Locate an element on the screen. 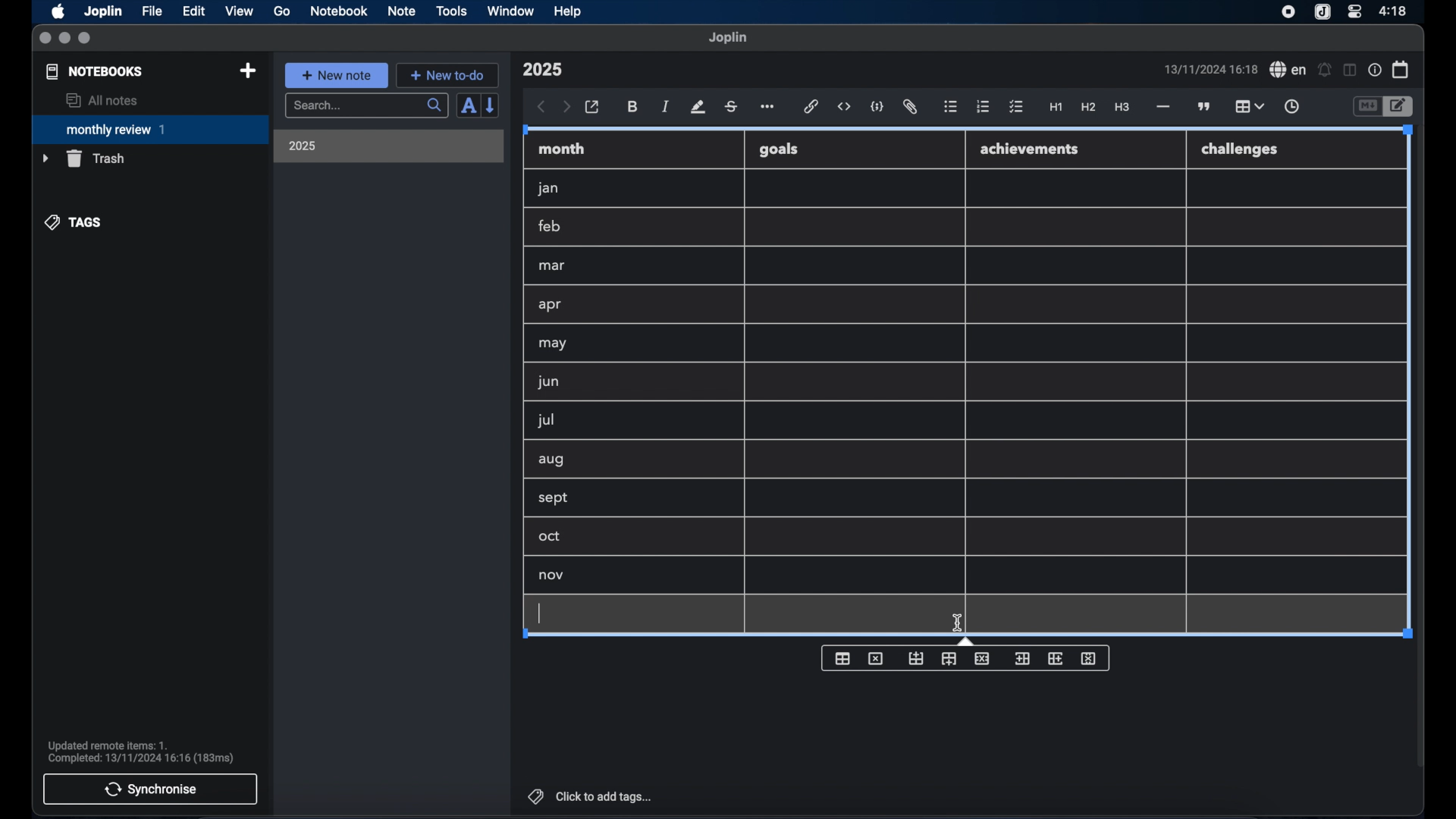  search bar is located at coordinates (366, 107).